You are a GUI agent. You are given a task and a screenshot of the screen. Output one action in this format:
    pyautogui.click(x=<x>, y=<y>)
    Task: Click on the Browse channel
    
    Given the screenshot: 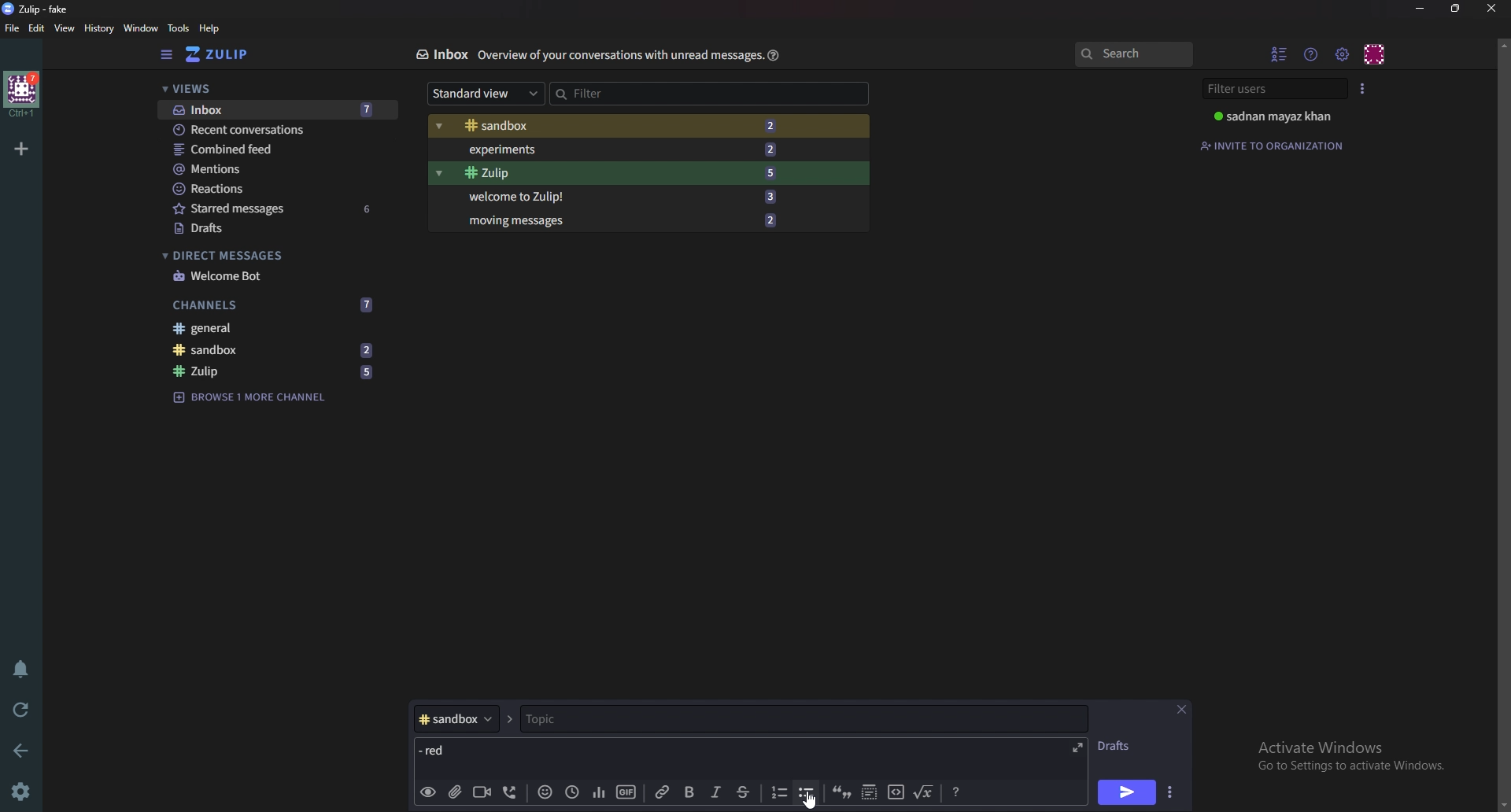 What is the action you would take?
    pyautogui.click(x=250, y=396)
    